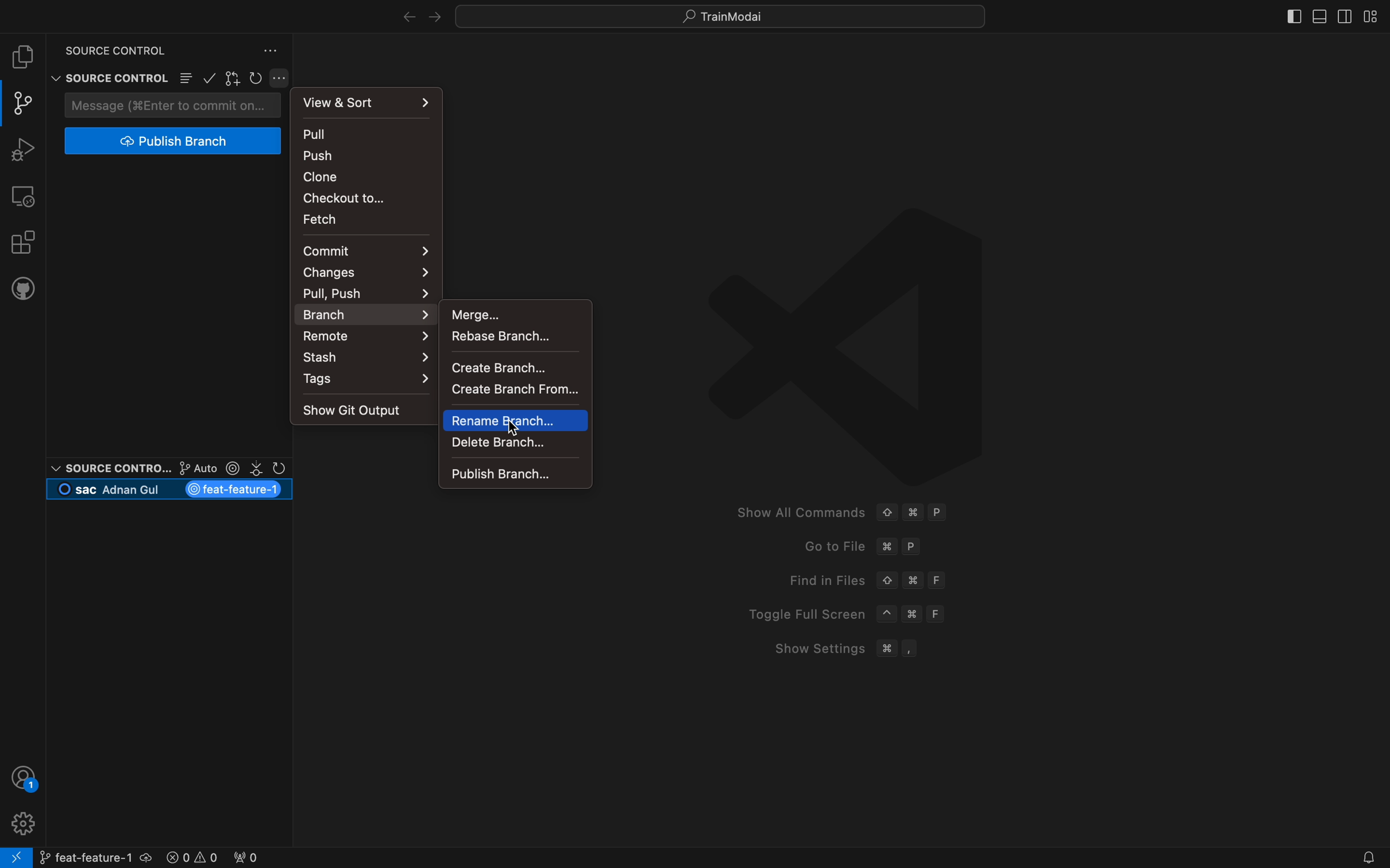  I want to click on Cursor, so click(514, 428).